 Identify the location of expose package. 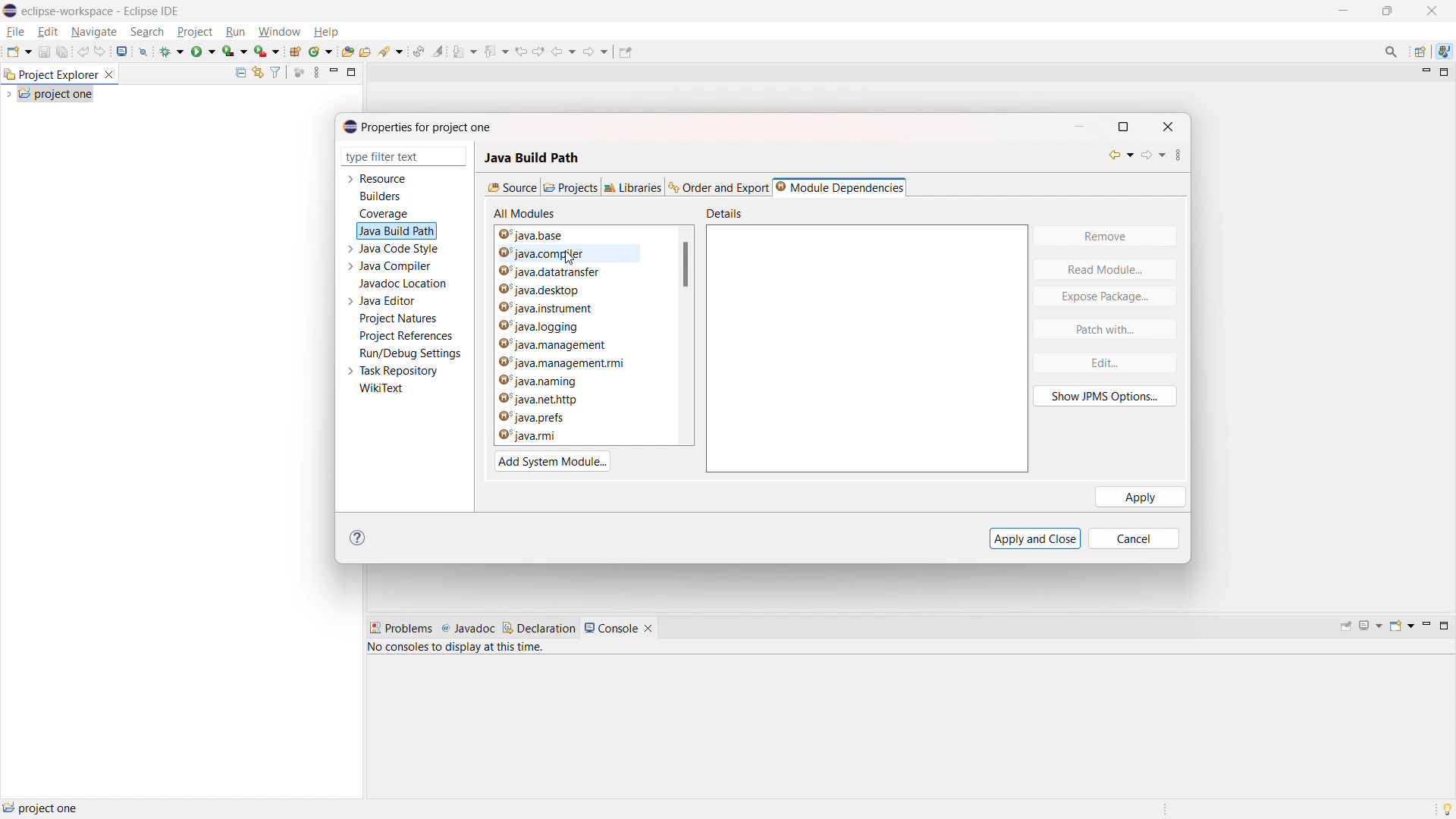
(1105, 297).